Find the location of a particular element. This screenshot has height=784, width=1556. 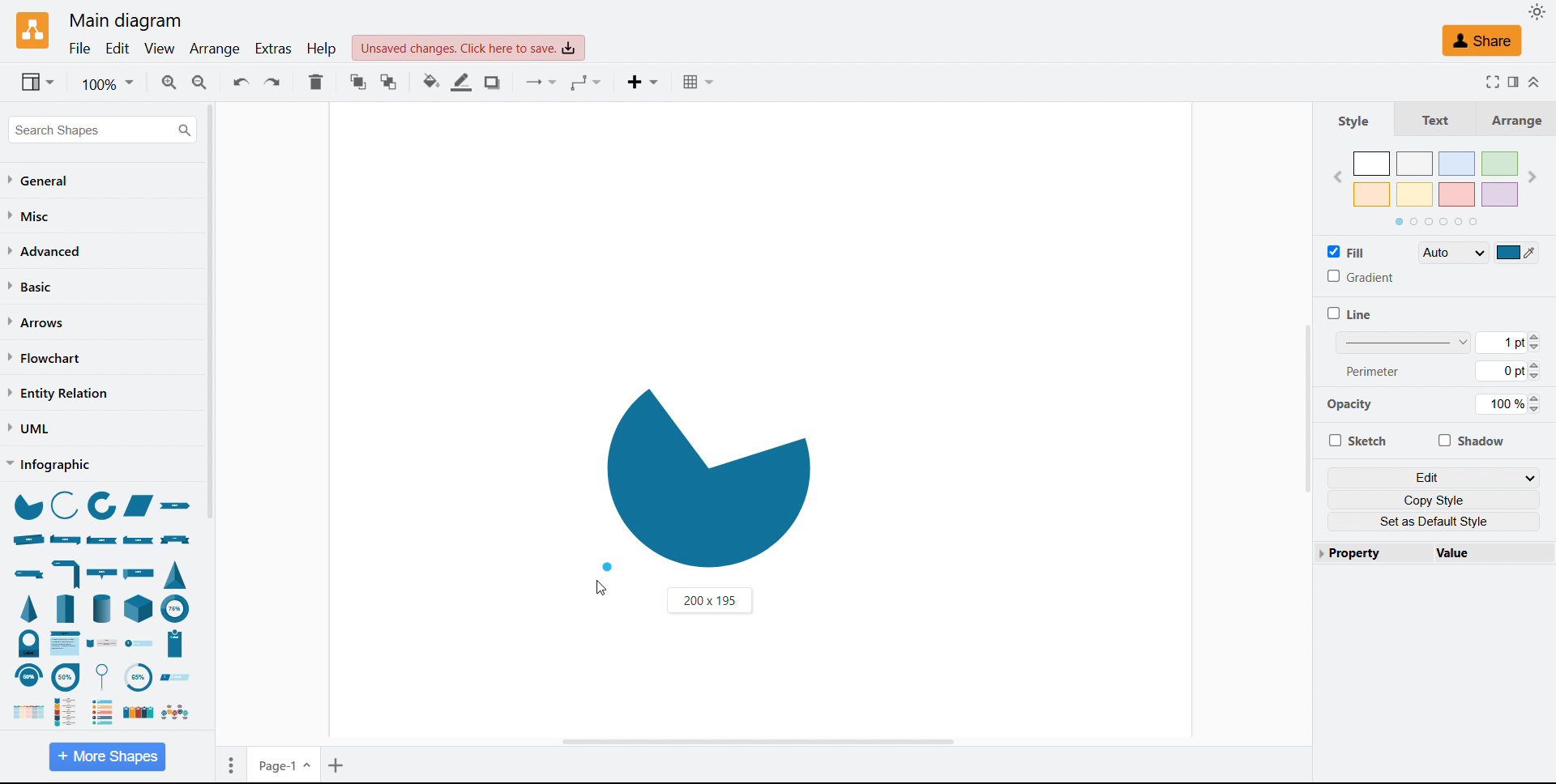

Page options  is located at coordinates (231, 765).